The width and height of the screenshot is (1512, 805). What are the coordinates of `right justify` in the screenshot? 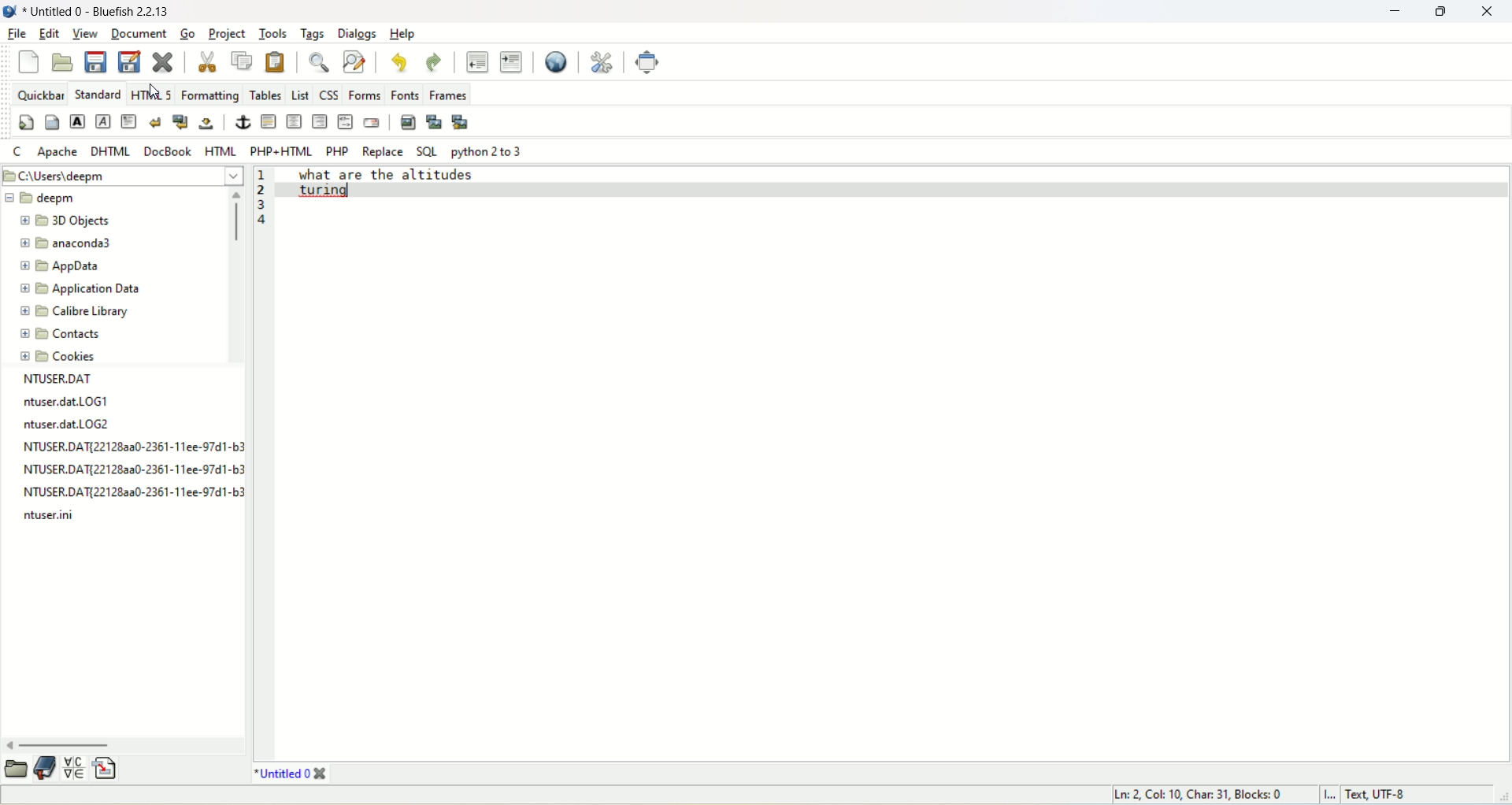 It's located at (322, 121).